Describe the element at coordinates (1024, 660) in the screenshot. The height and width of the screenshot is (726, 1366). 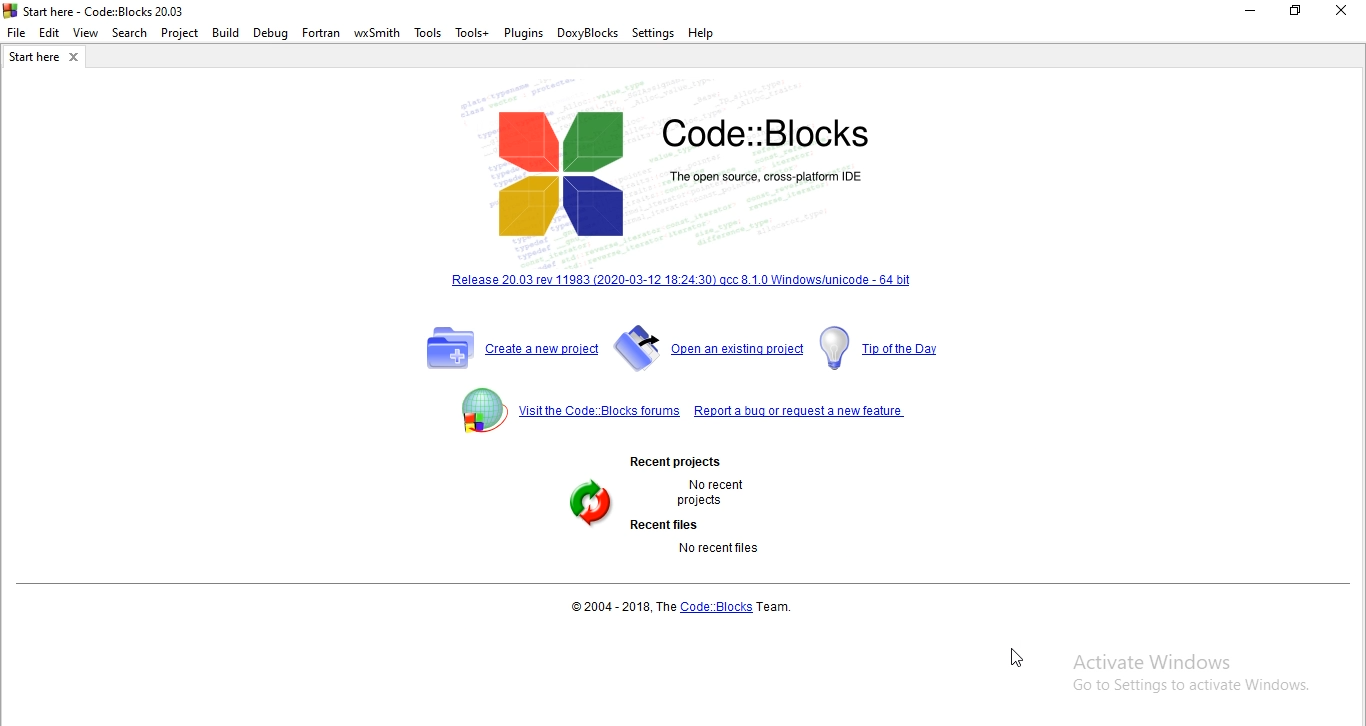
I see `Cursor` at that location.